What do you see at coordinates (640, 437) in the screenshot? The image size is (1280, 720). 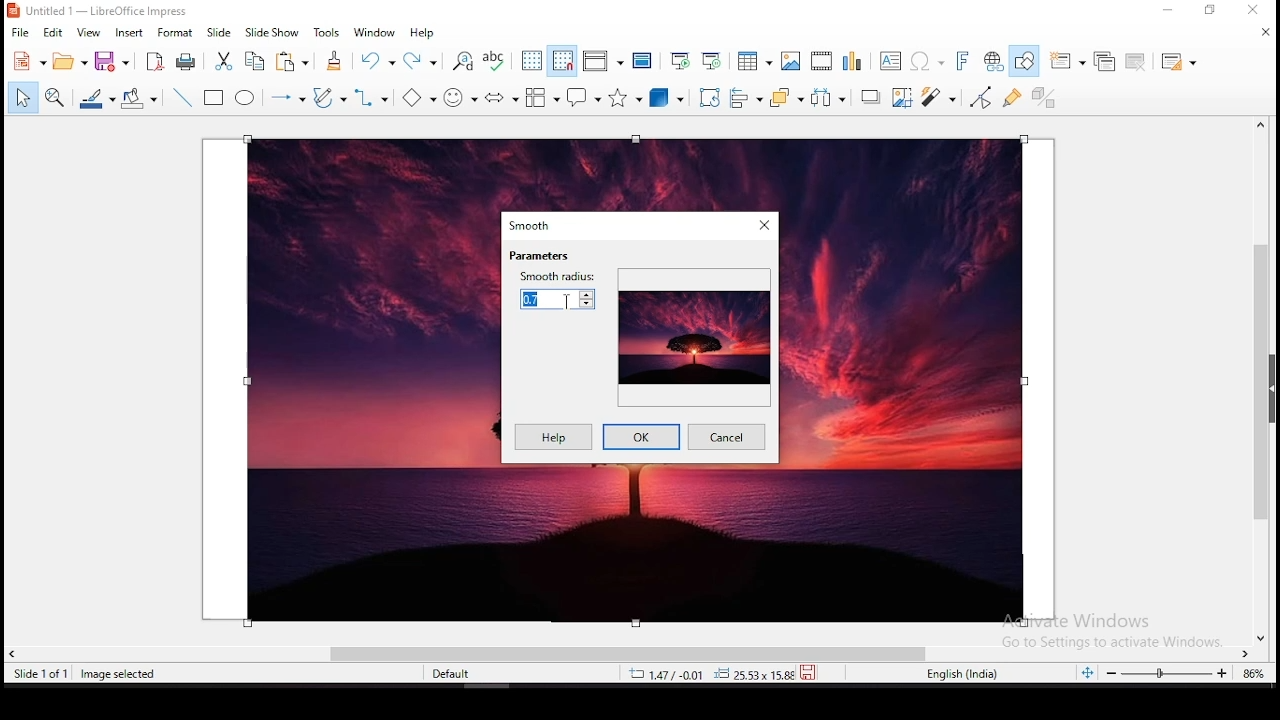 I see `ok` at bounding box center [640, 437].